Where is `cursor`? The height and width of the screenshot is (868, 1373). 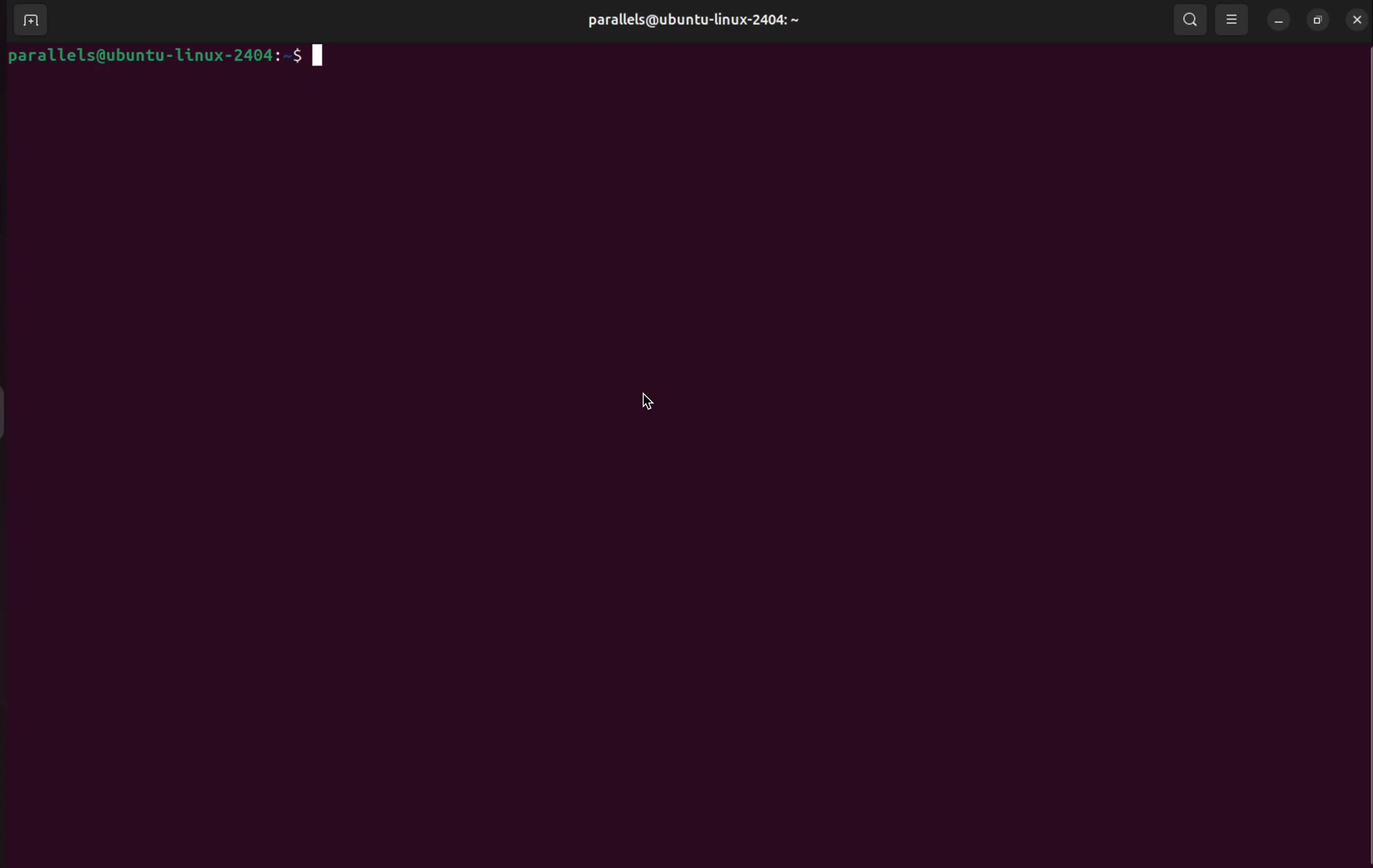 cursor is located at coordinates (653, 403).